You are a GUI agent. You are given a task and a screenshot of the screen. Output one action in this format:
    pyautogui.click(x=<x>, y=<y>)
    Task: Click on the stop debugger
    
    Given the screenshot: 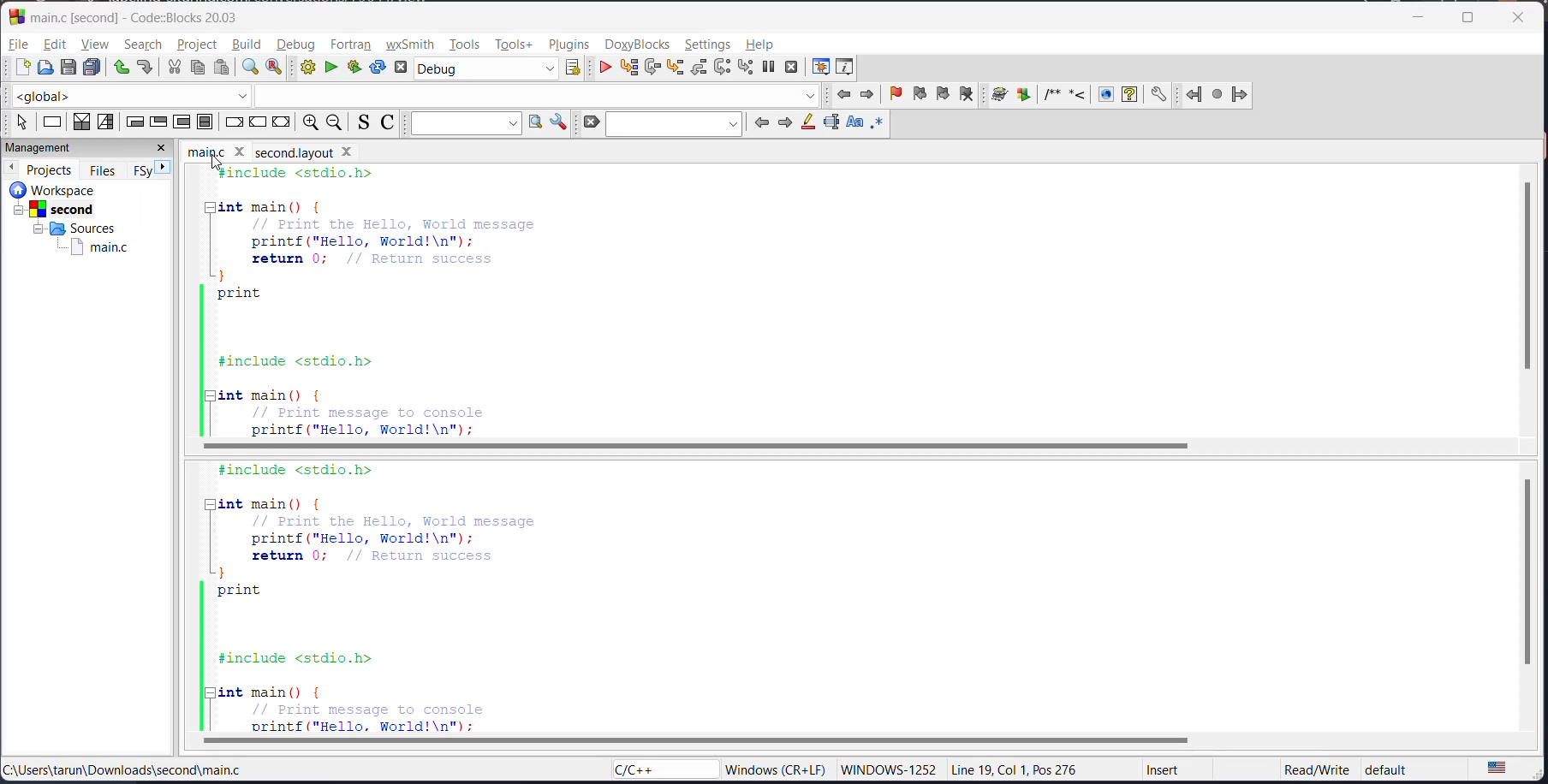 What is the action you would take?
    pyautogui.click(x=793, y=69)
    